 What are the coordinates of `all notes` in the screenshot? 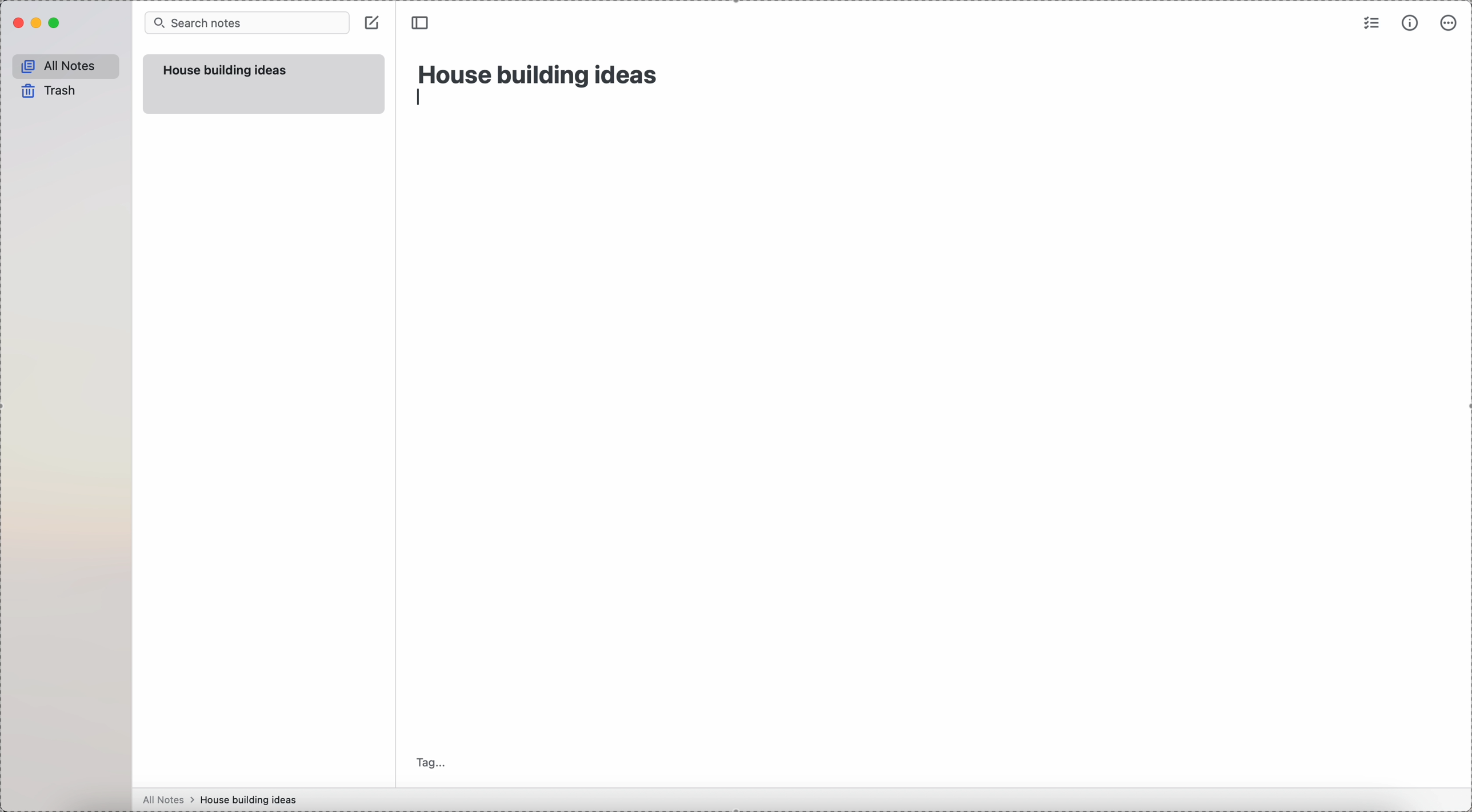 It's located at (169, 800).